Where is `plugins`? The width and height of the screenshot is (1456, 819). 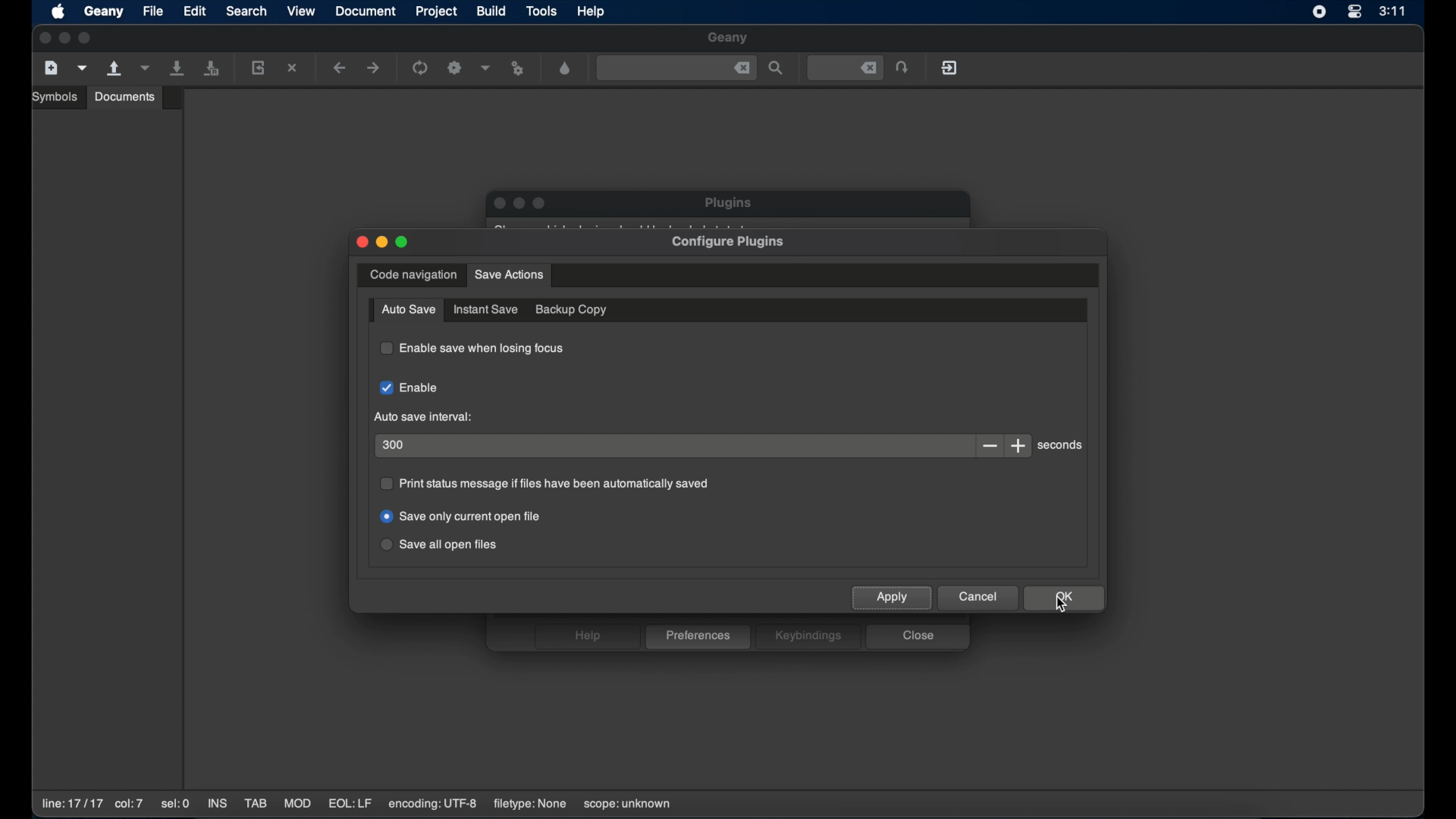
plugins is located at coordinates (730, 202).